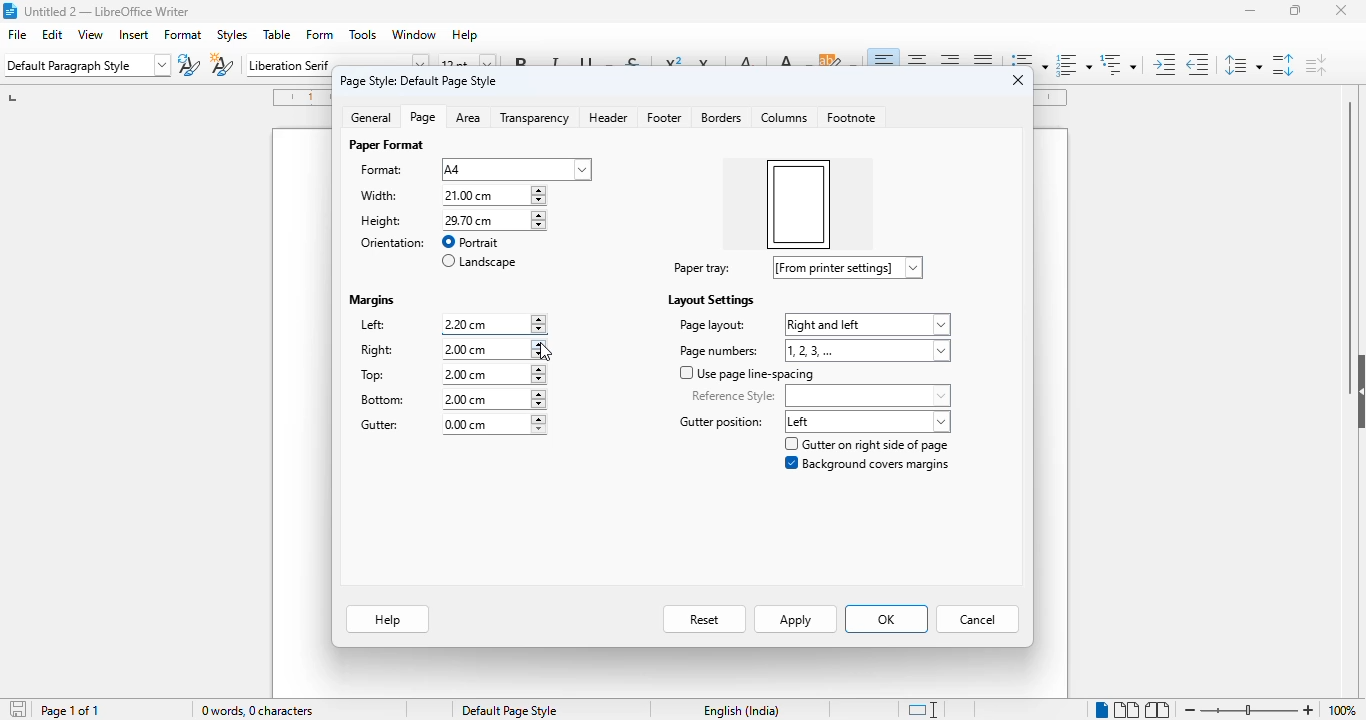 This screenshot has width=1366, height=720. Describe the element at coordinates (985, 60) in the screenshot. I see `justified` at that location.